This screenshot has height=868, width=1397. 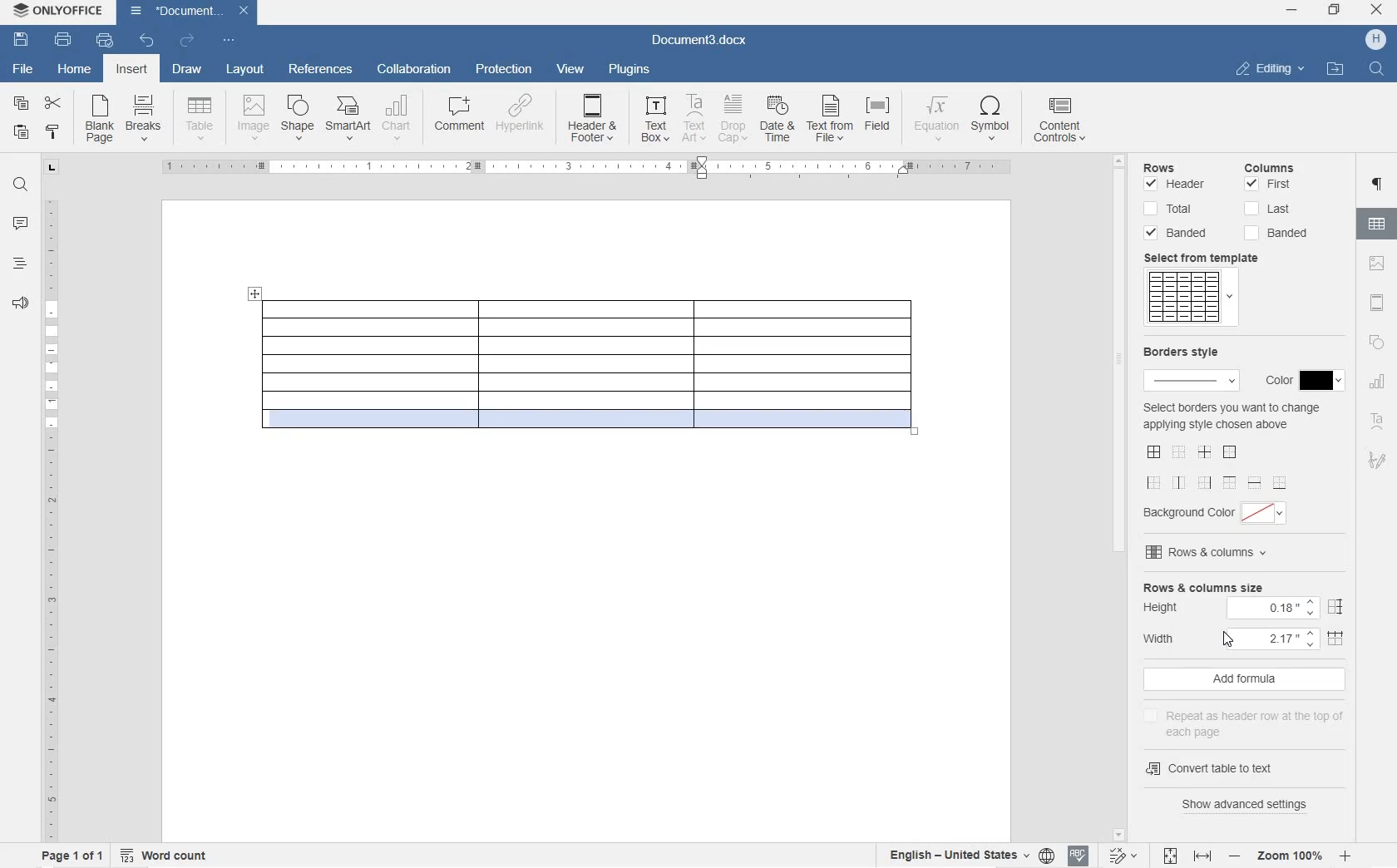 What do you see at coordinates (1303, 378) in the screenshot?
I see `Border Style Color` at bounding box center [1303, 378].